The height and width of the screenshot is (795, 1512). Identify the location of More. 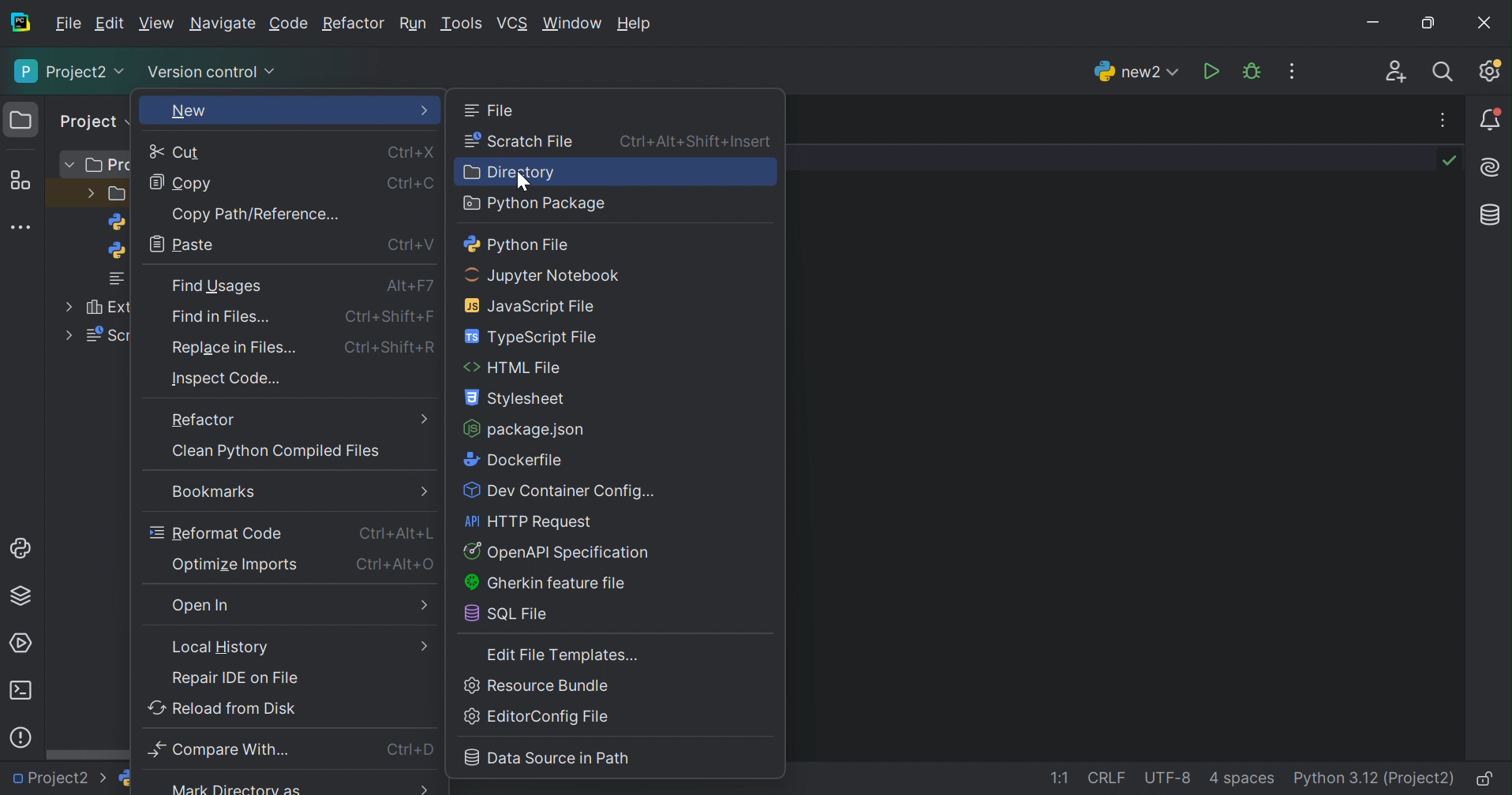
(425, 606).